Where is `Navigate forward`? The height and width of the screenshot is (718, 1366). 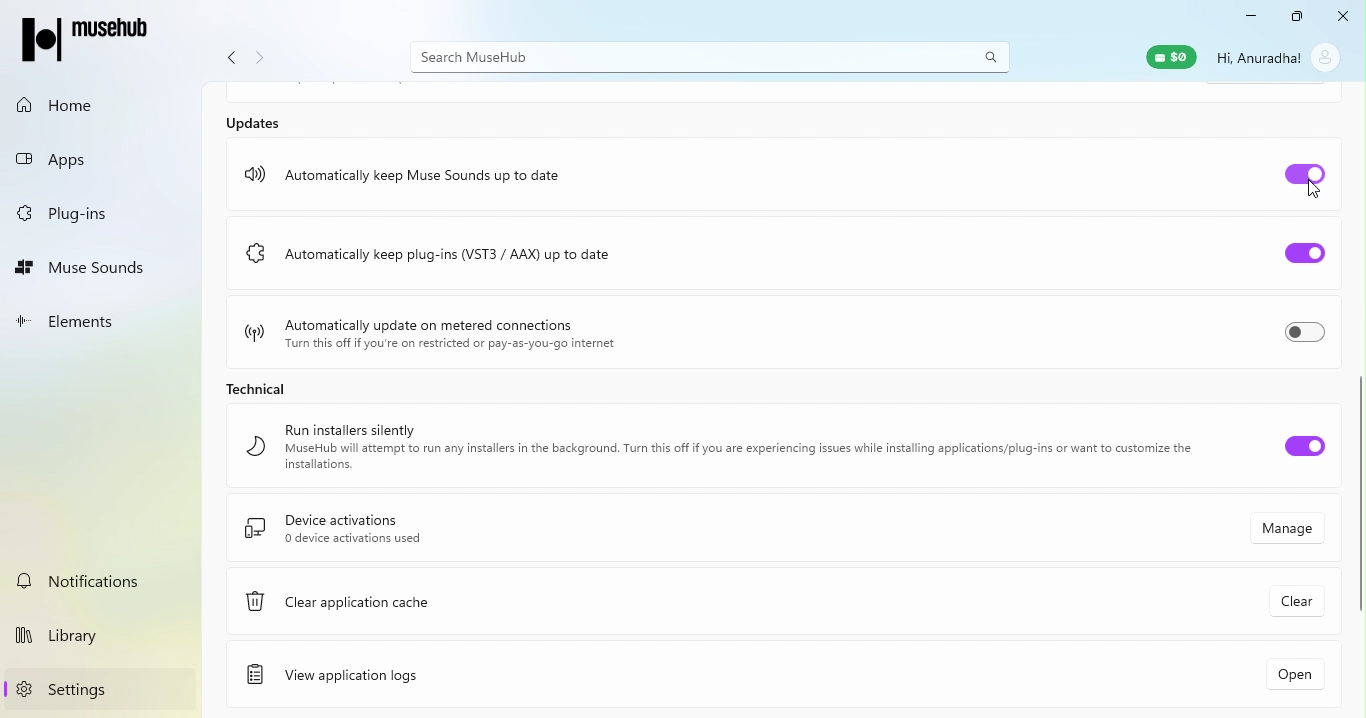
Navigate forward is located at coordinates (261, 61).